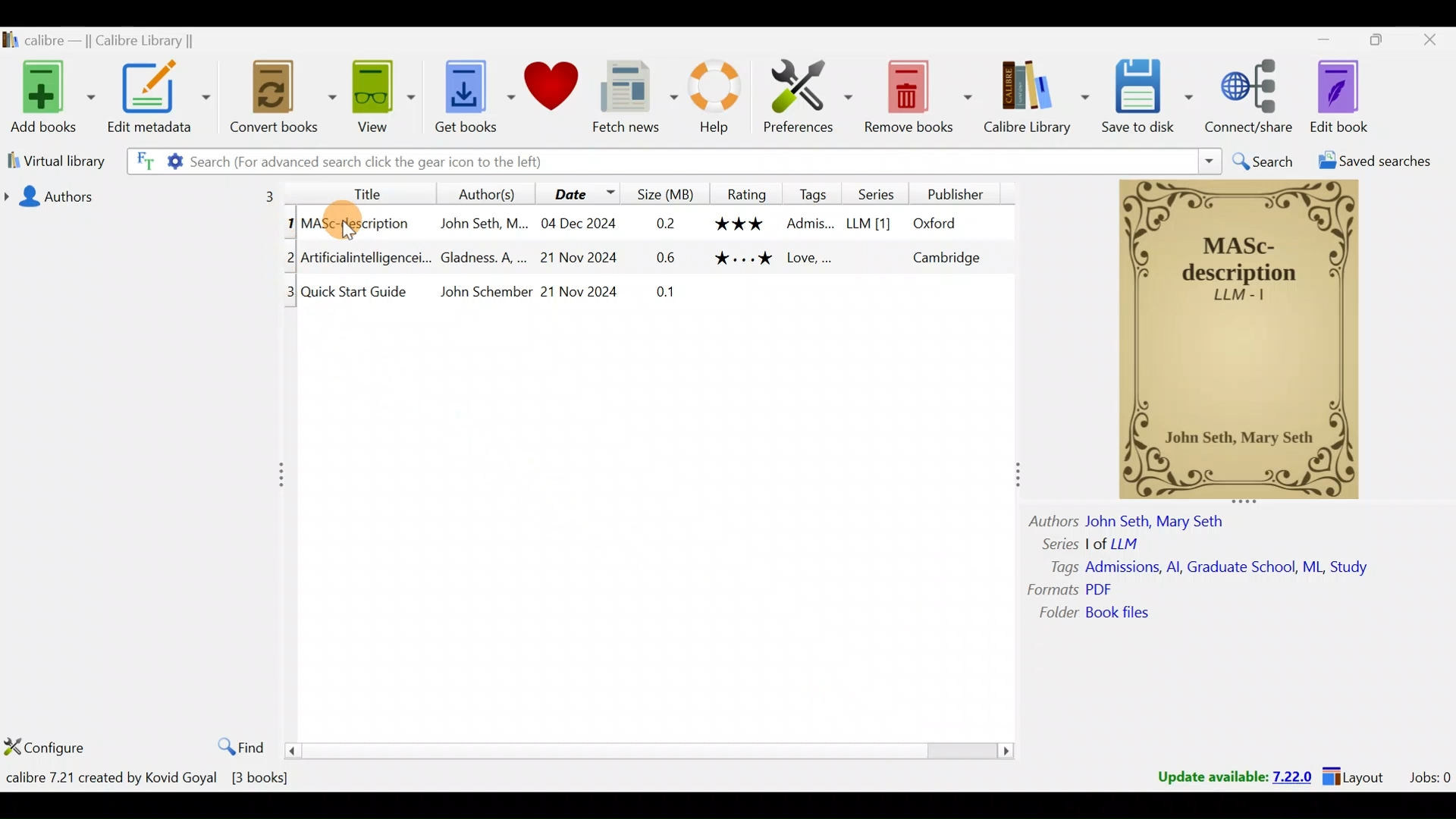  What do you see at coordinates (812, 257) in the screenshot?
I see `` at bounding box center [812, 257].